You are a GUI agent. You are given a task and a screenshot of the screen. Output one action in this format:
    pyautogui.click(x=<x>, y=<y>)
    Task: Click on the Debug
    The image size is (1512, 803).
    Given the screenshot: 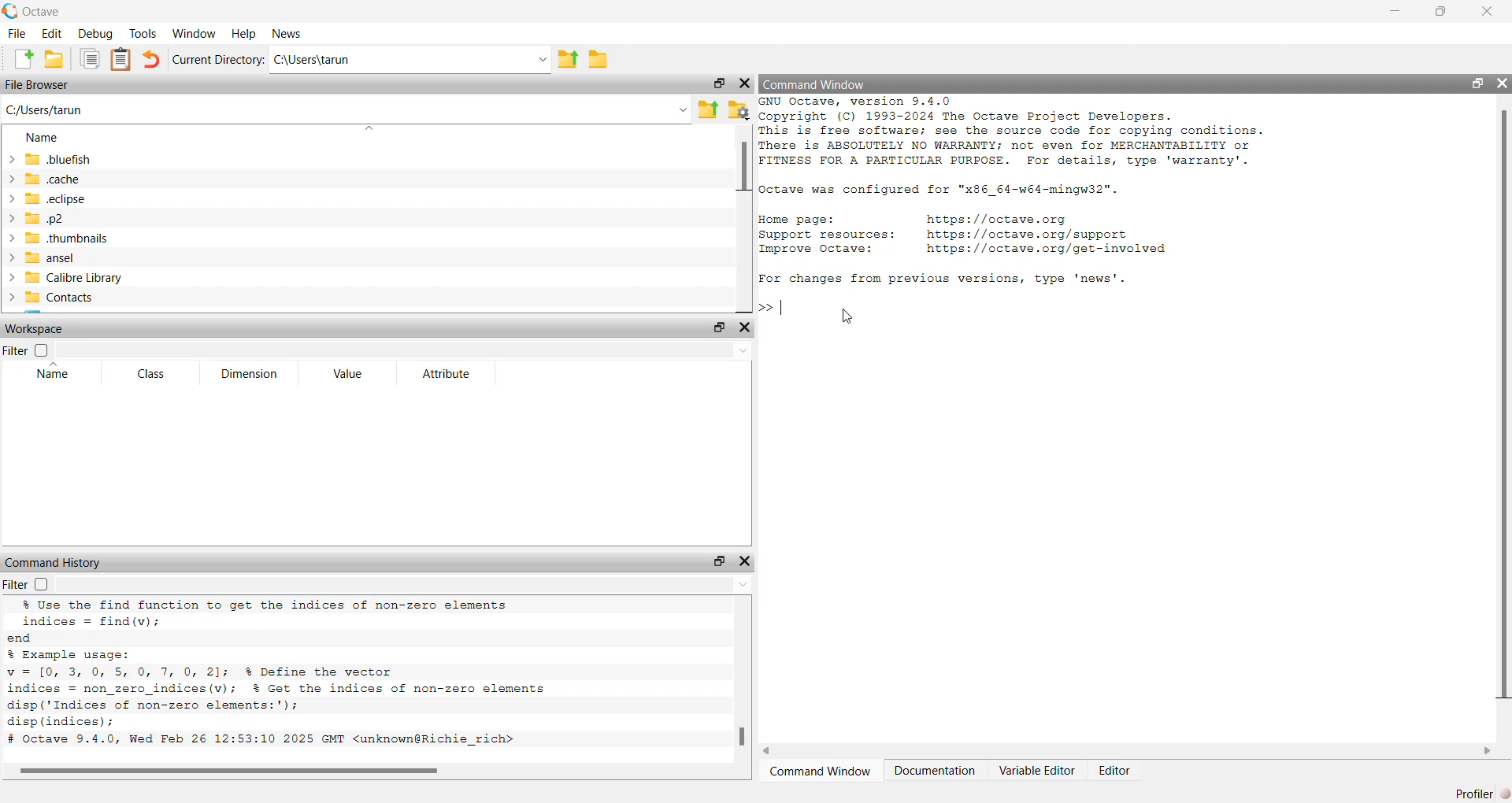 What is the action you would take?
    pyautogui.click(x=95, y=35)
    